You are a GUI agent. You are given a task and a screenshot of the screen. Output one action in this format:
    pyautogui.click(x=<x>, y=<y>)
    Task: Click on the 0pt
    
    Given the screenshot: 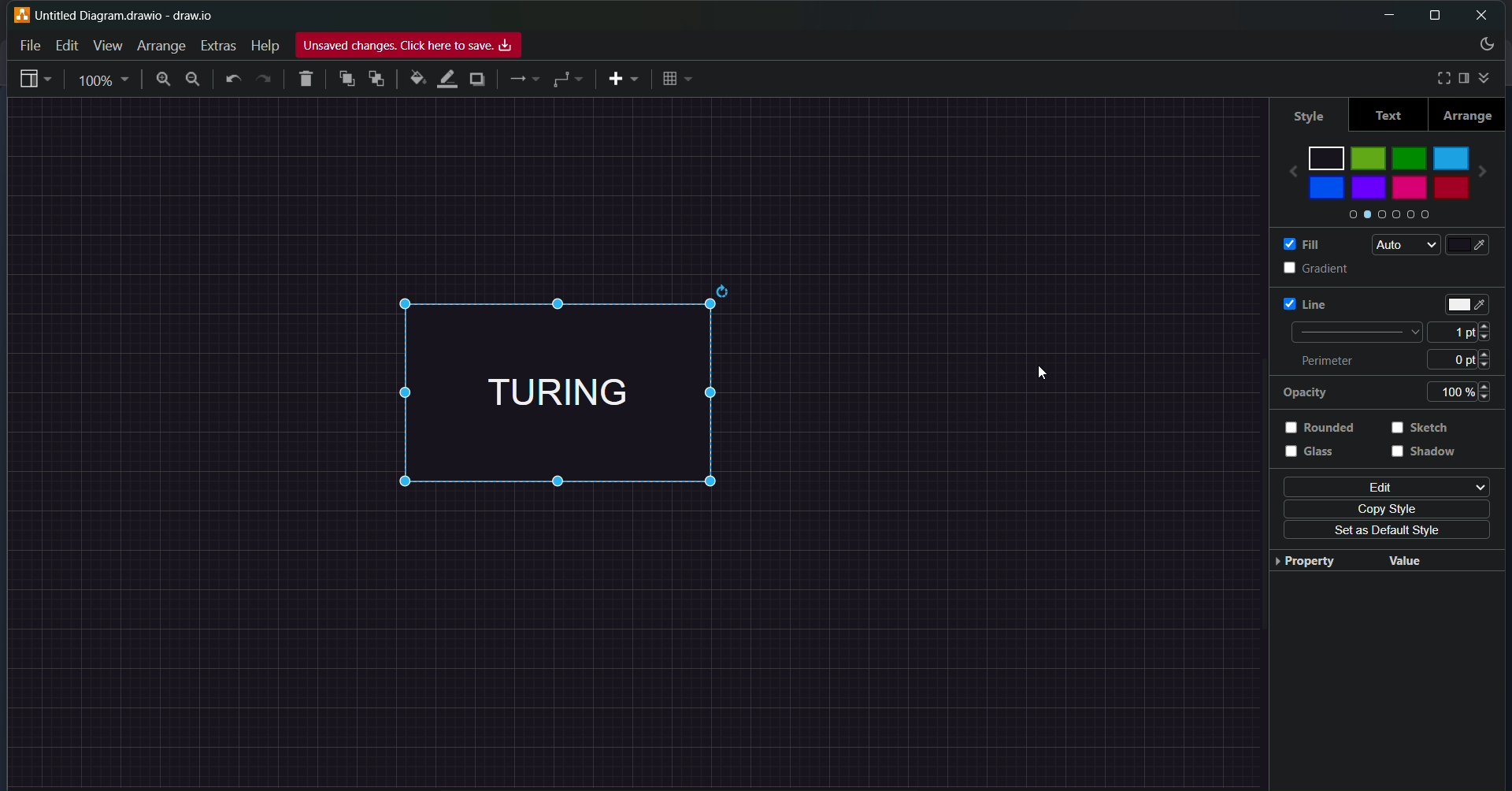 What is the action you would take?
    pyautogui.click(x=1471, y=358)
    